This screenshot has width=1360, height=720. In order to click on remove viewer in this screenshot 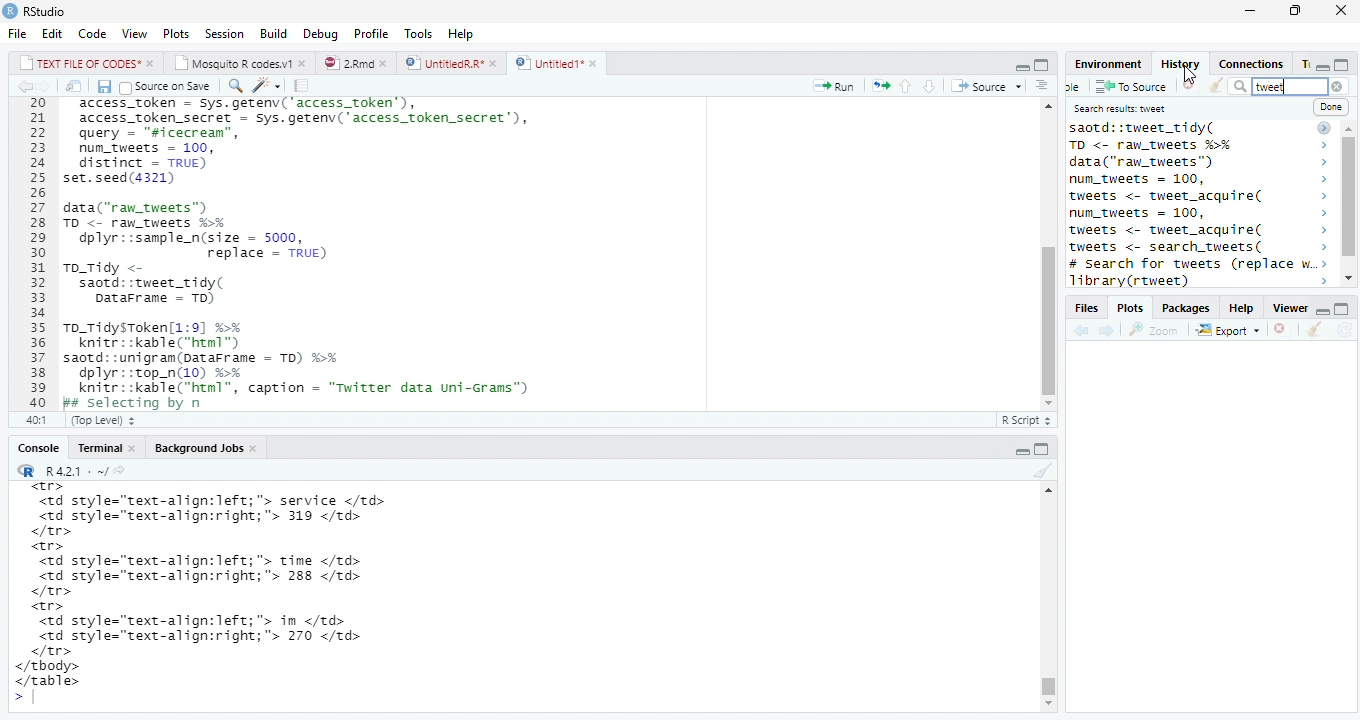, I will do `click(1285, 330)`.